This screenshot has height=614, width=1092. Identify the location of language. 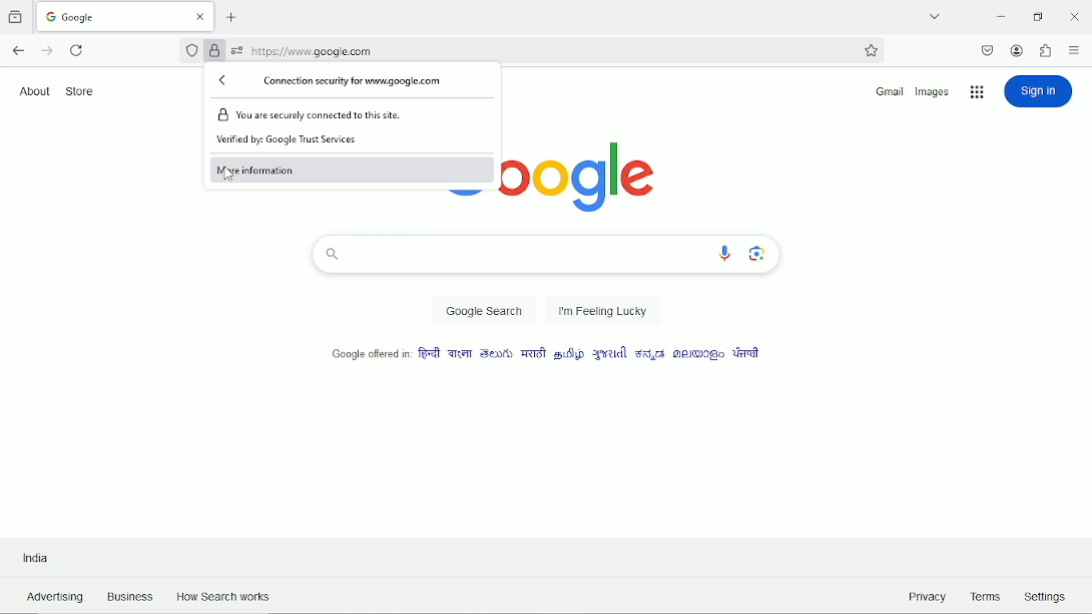
(743, 355).